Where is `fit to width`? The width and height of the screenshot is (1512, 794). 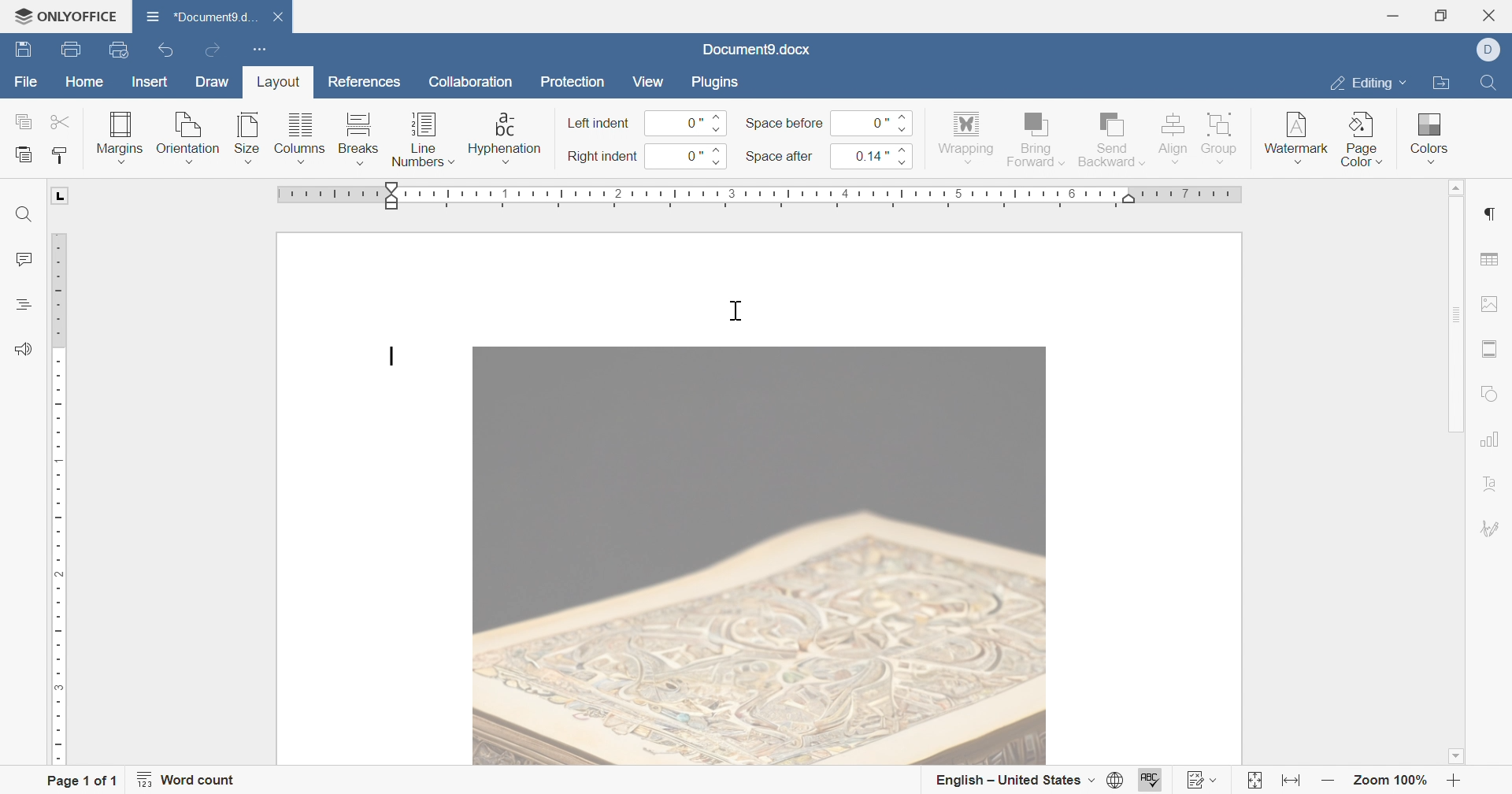 fit to width is located at coordinates (1288, 784).